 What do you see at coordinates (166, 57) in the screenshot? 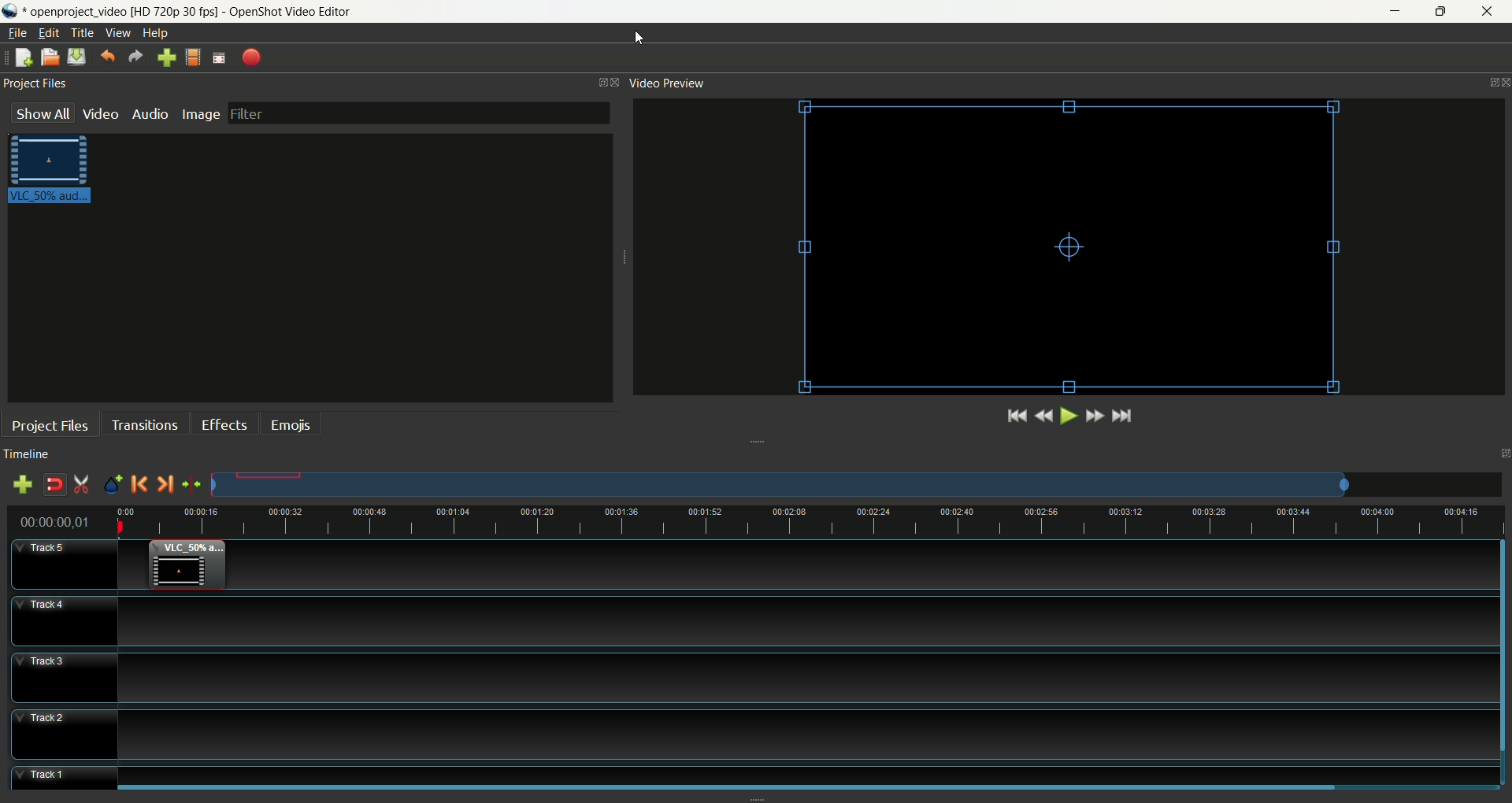
I see `import files` at bounding box center [166, 57].